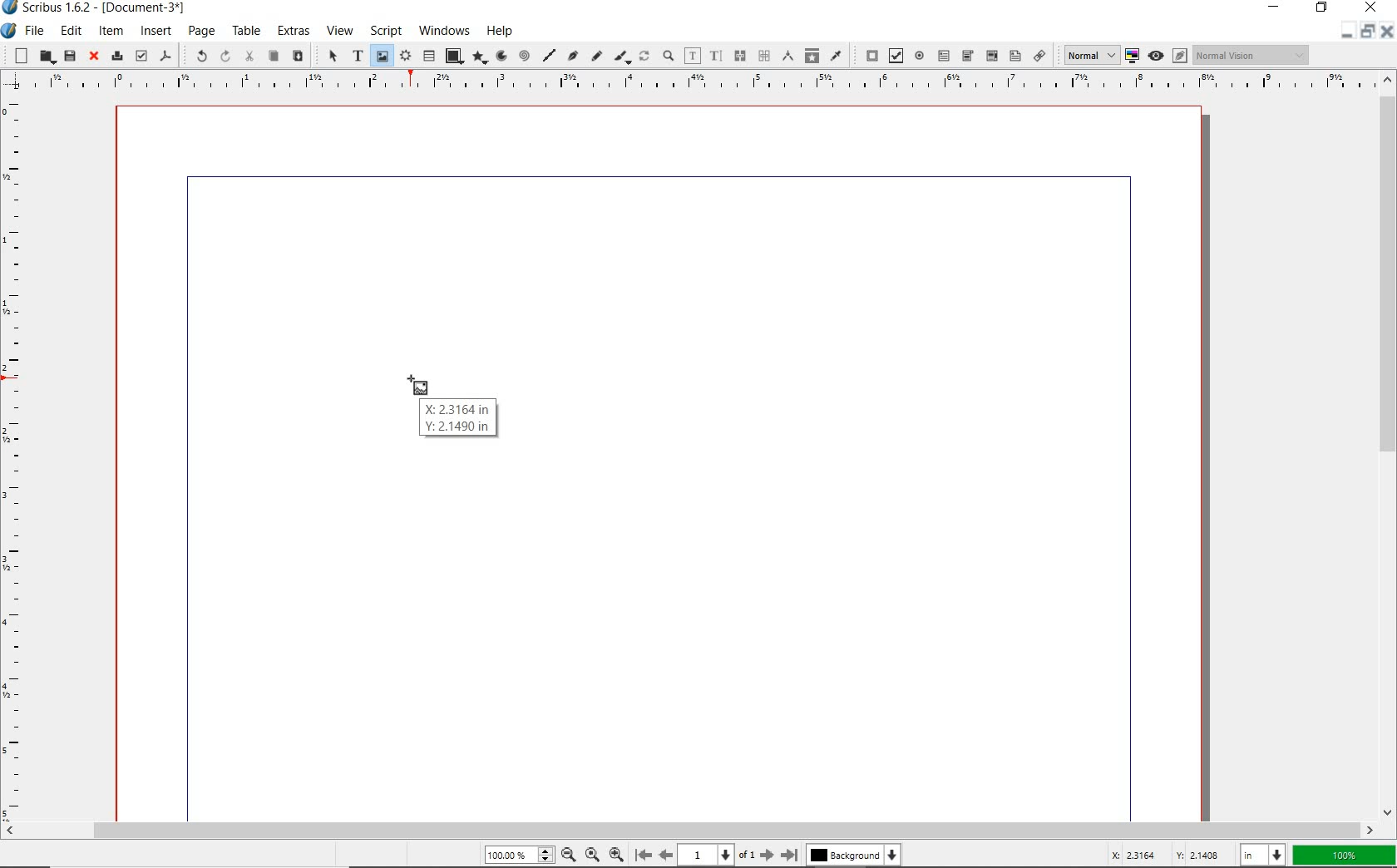 Image resolution: width=1397 pixels, height=868 pixels. What do you see at coordinates (140, 55) in the screenshot?
I see `preflight verifier` at bounding box center [140, 55].